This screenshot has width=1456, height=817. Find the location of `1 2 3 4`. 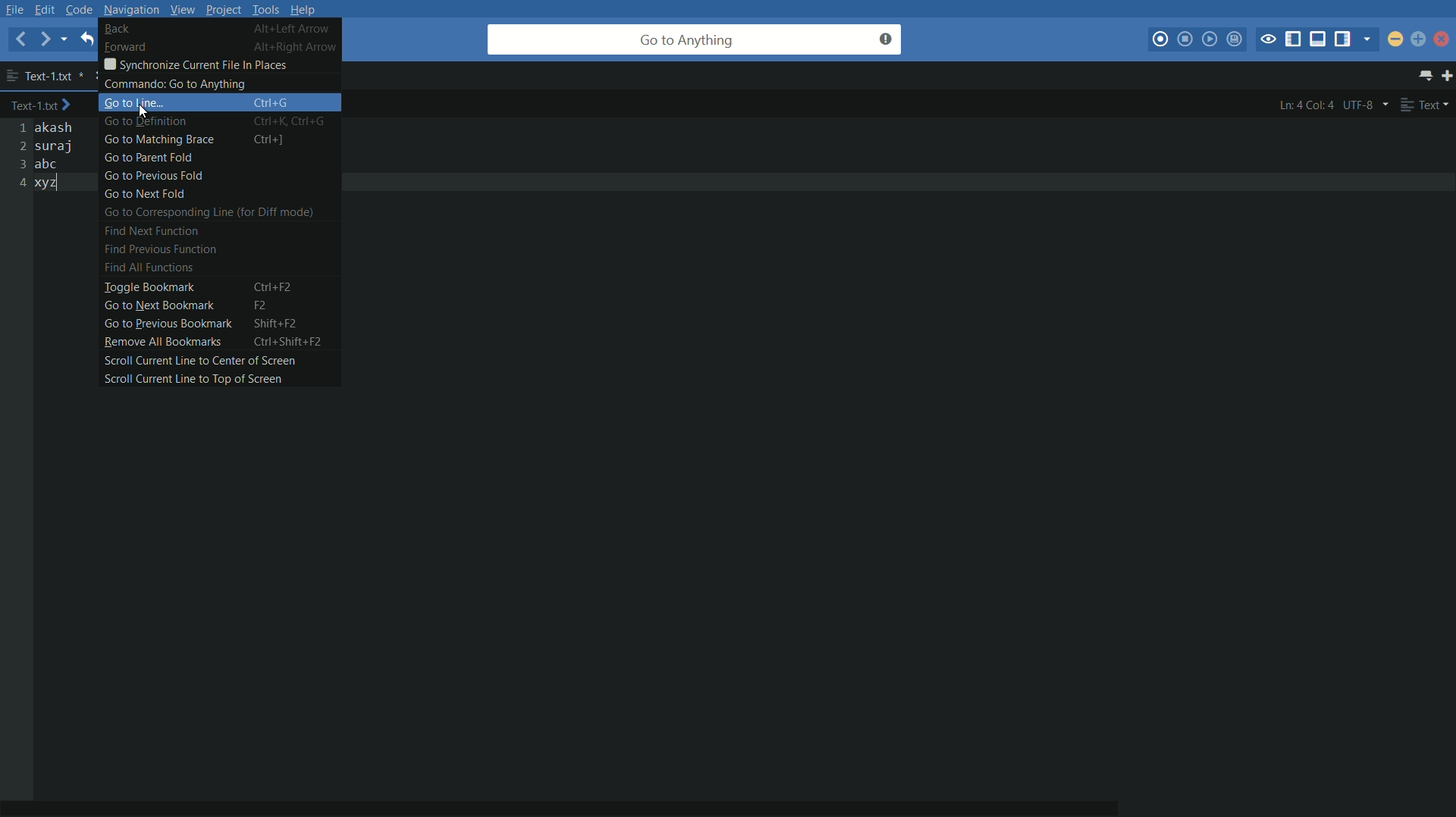

1 2 3 4 is located at coordinates (19, 156).